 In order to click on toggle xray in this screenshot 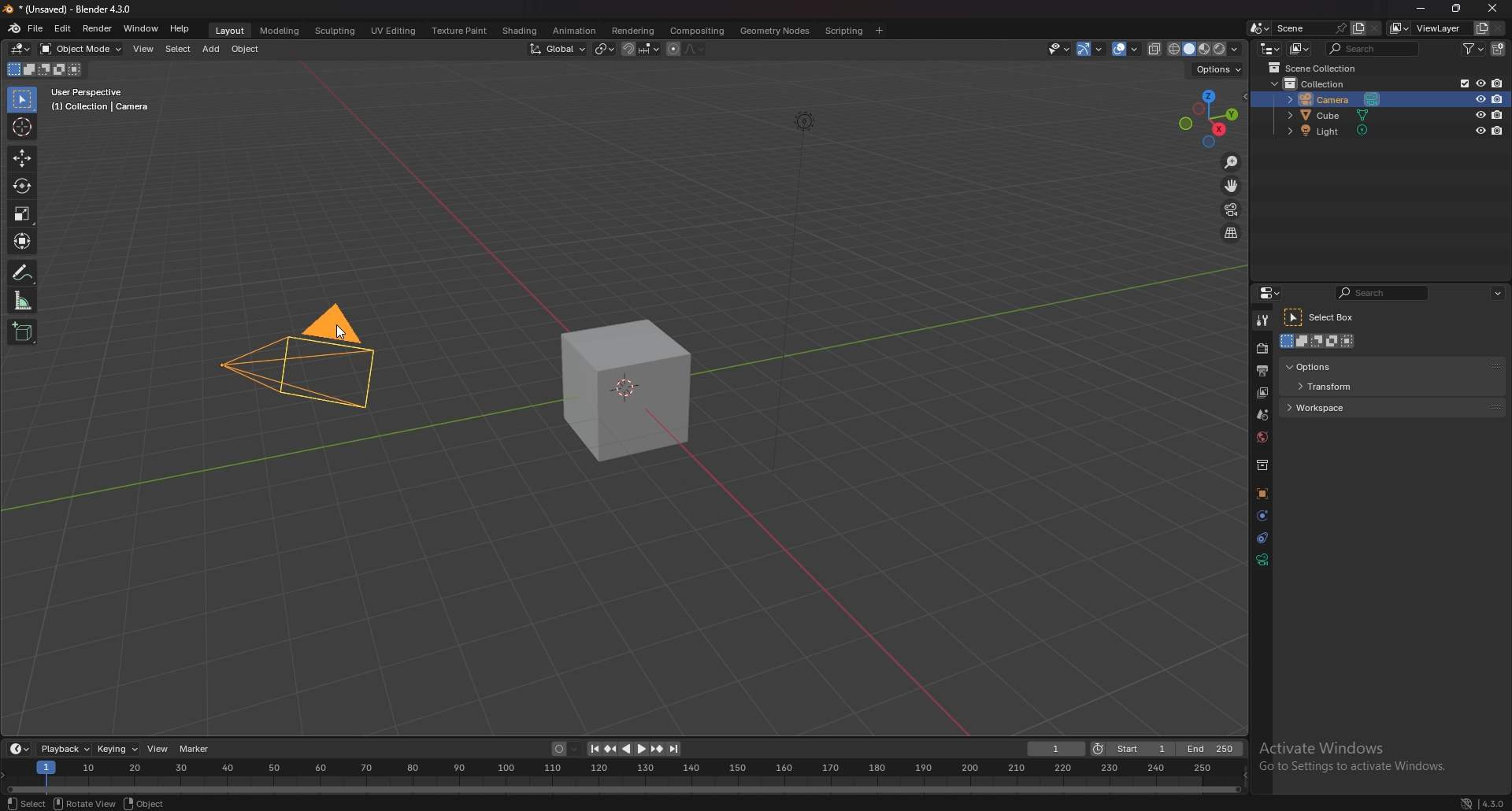, I will do `click(1155, 49)`.